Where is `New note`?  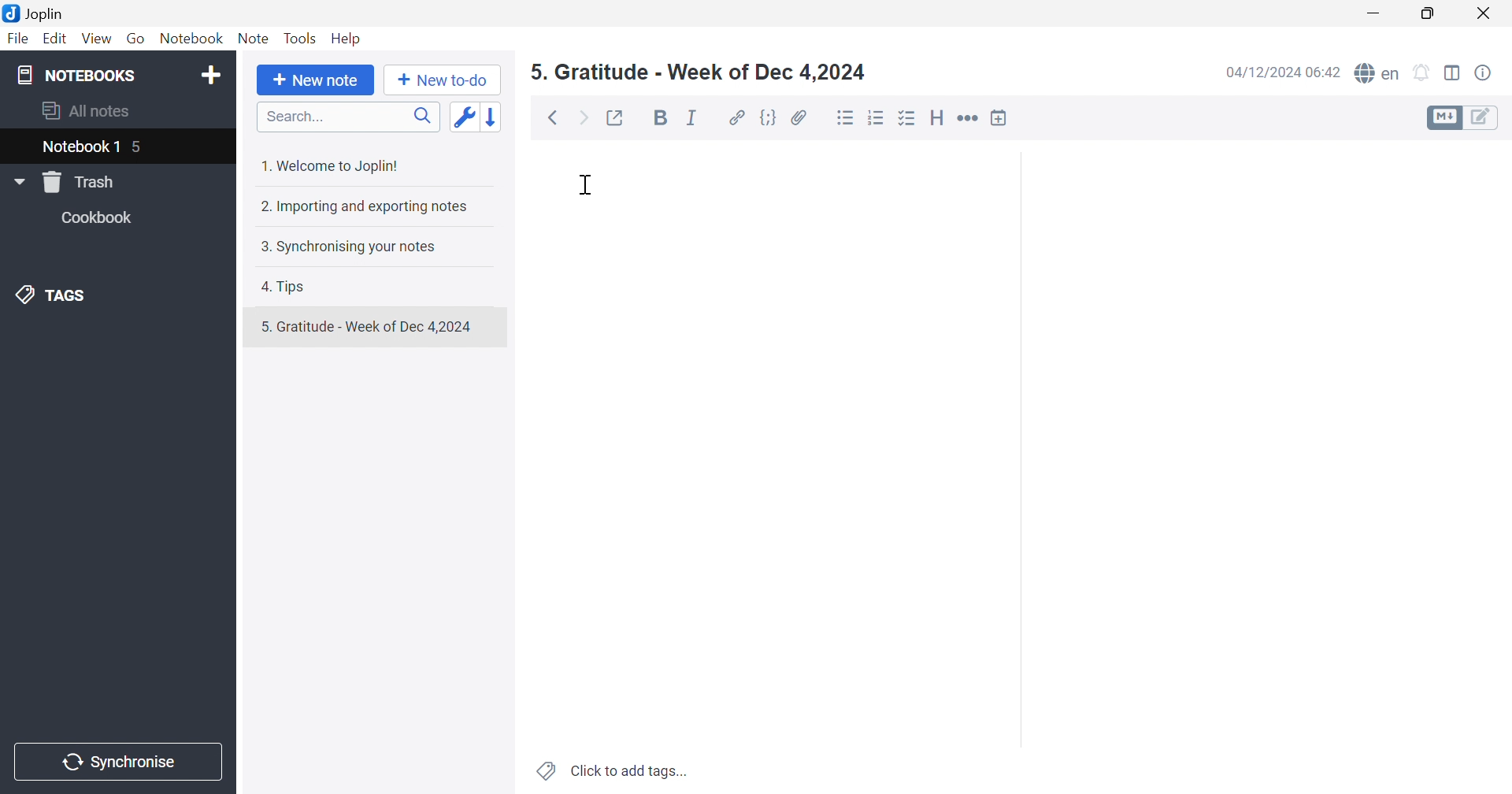
New note is located at coordinates (316, 80).